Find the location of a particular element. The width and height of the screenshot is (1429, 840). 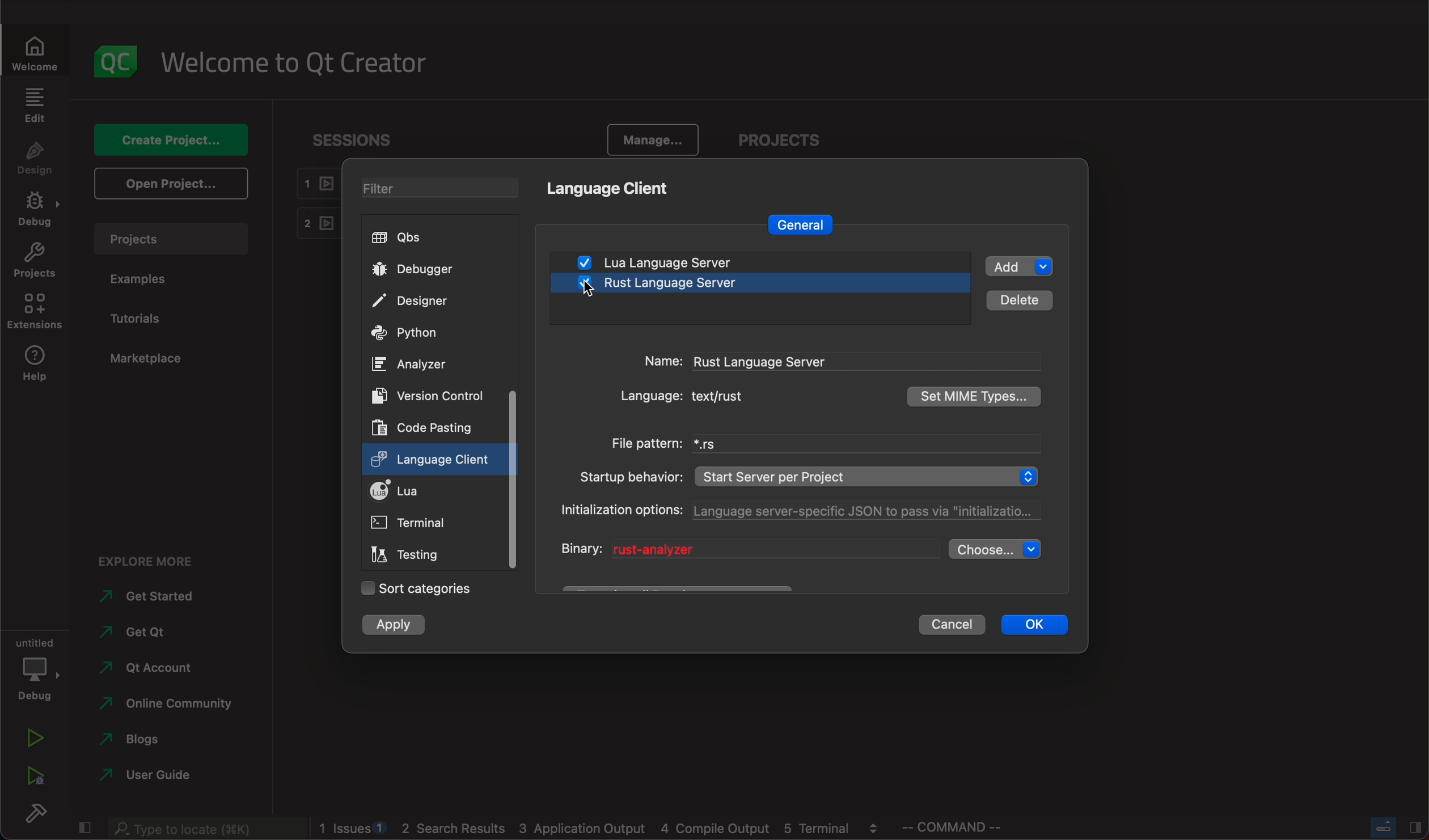

tutorials is located at coordinates (139, 317).